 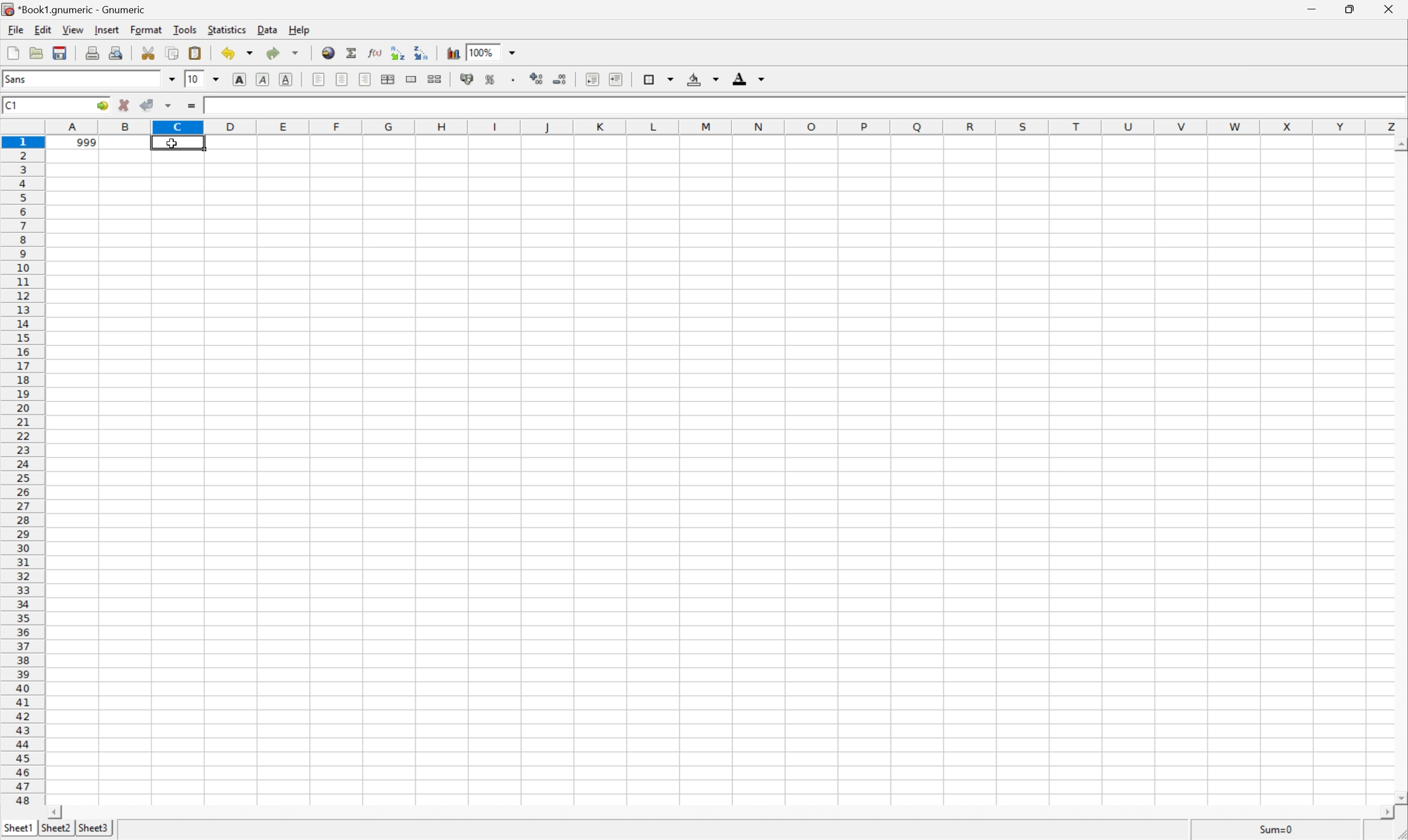 I want to click on underline, so click(x=285, y=78).